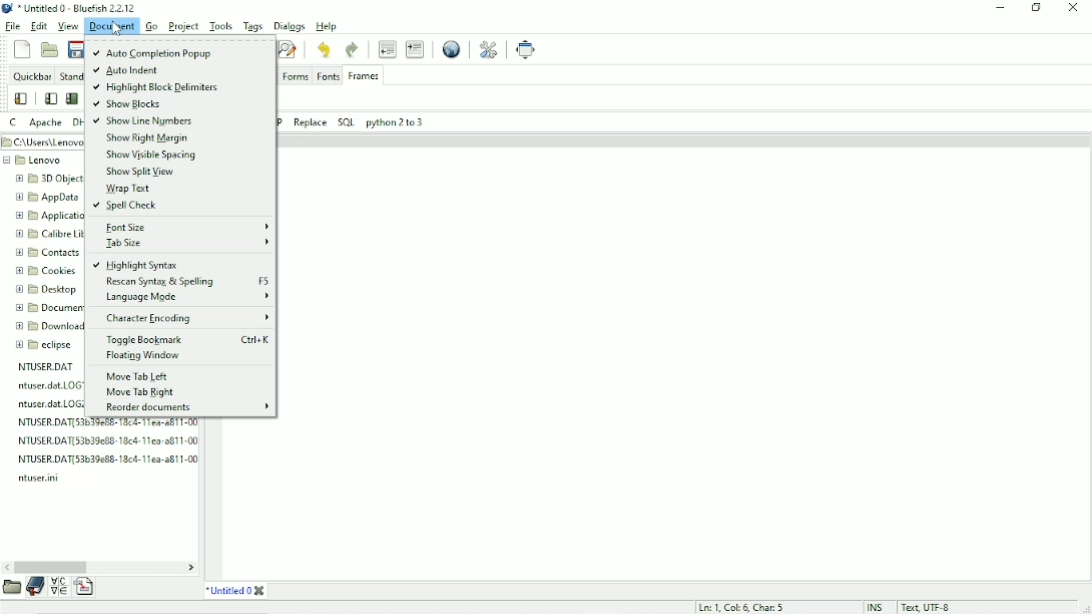 This screenshot has width=1092, height=614. I want to click on Frameset, so click(49, 99).